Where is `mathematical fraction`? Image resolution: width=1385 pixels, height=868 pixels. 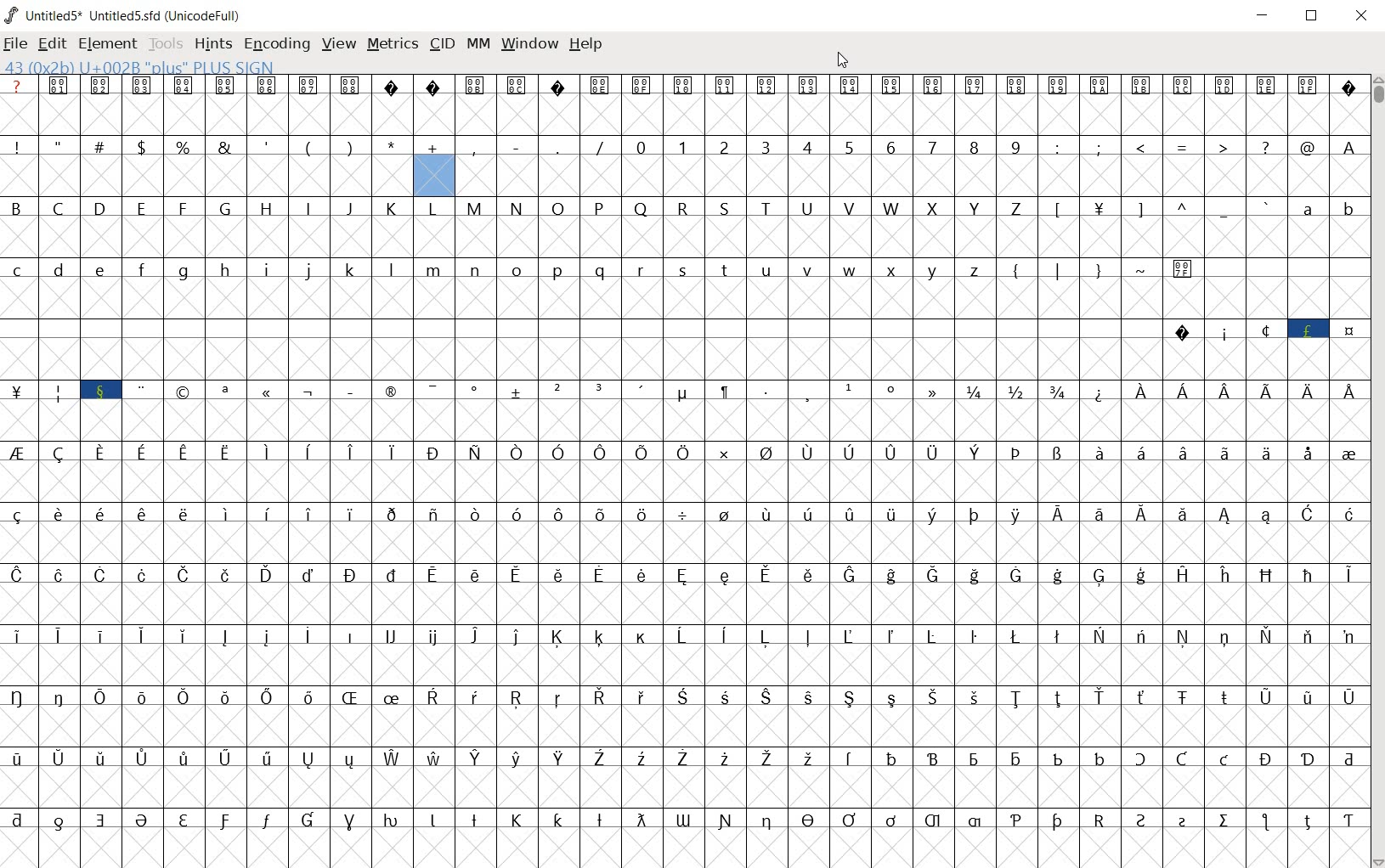
mathematical fraction is located at coordinates (1011, 410).